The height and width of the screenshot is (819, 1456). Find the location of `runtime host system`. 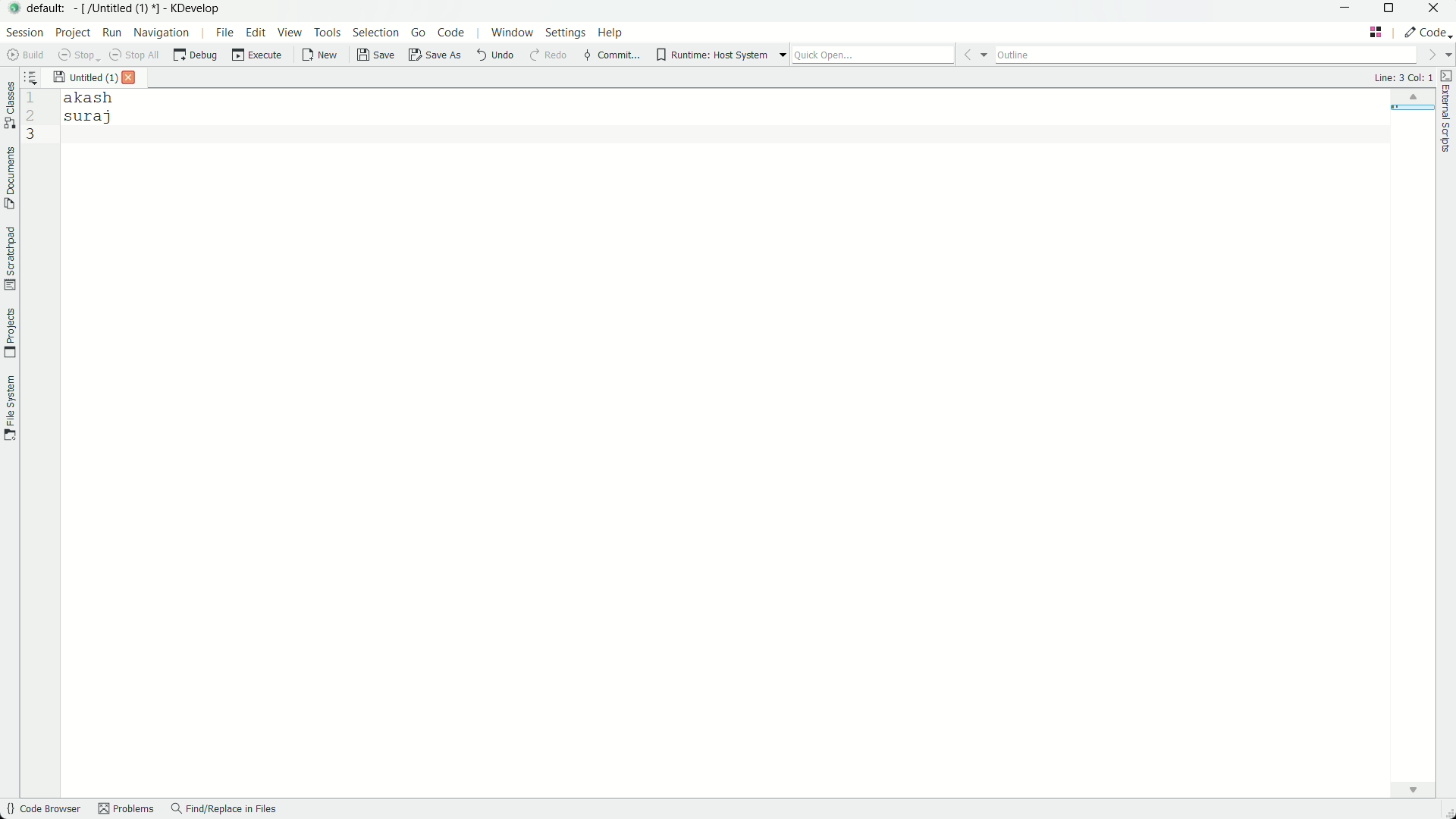

runtime host system is located at coordinates (722, 55).